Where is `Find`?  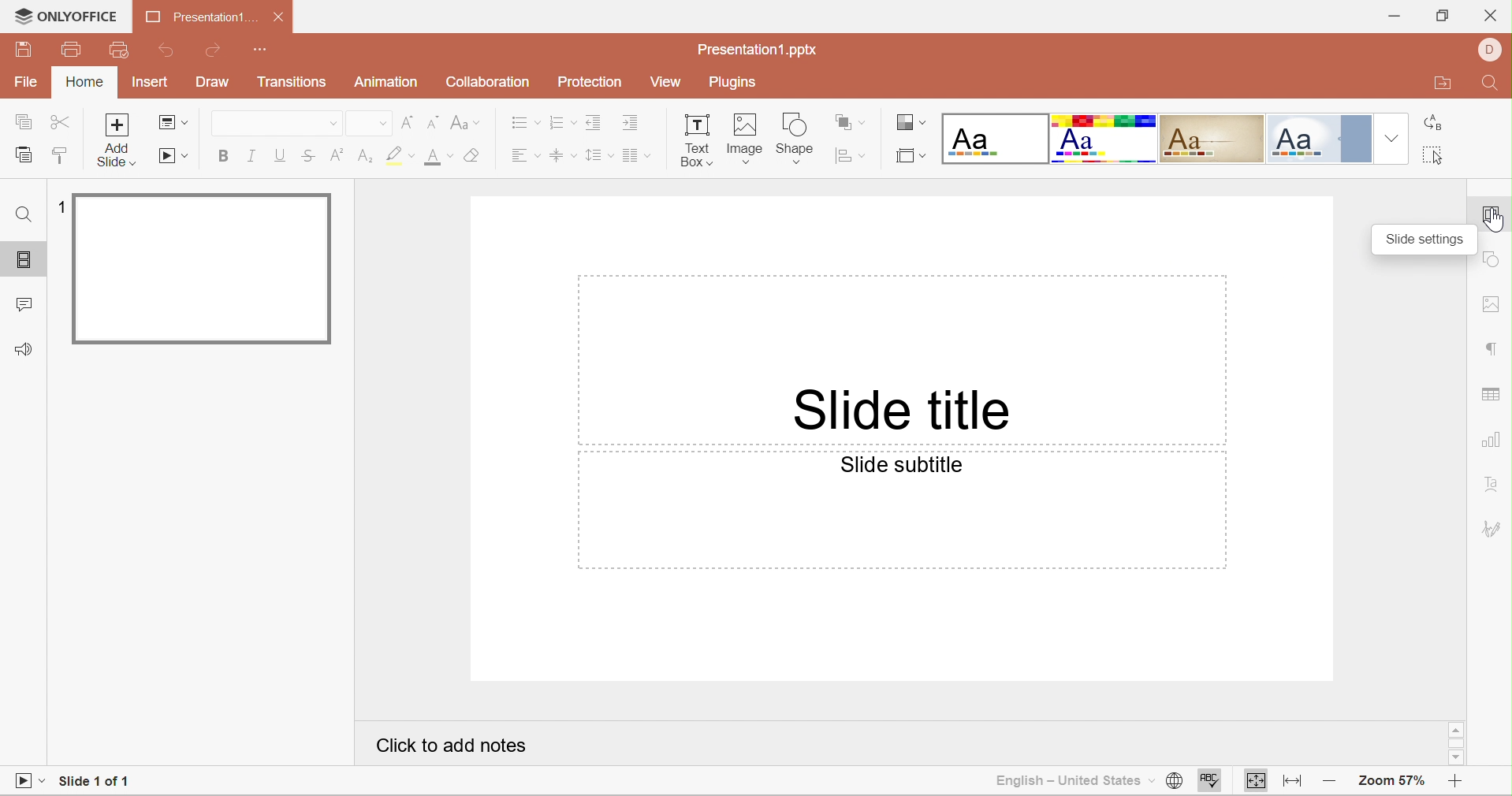 Find is located at coordinates (24, 215).